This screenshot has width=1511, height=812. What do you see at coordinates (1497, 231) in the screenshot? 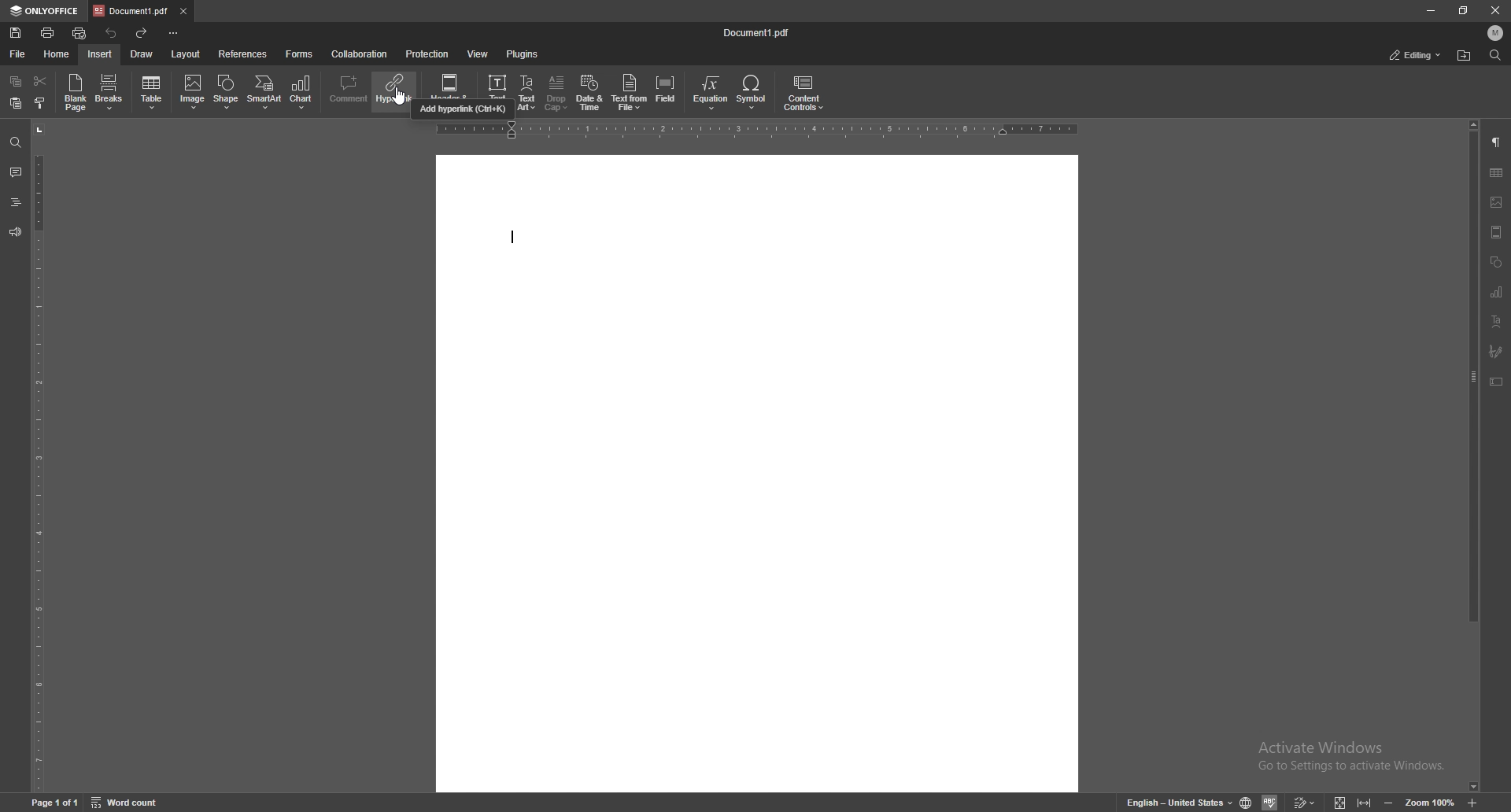
I see `header/footer` at bounding box center [1497, 231].